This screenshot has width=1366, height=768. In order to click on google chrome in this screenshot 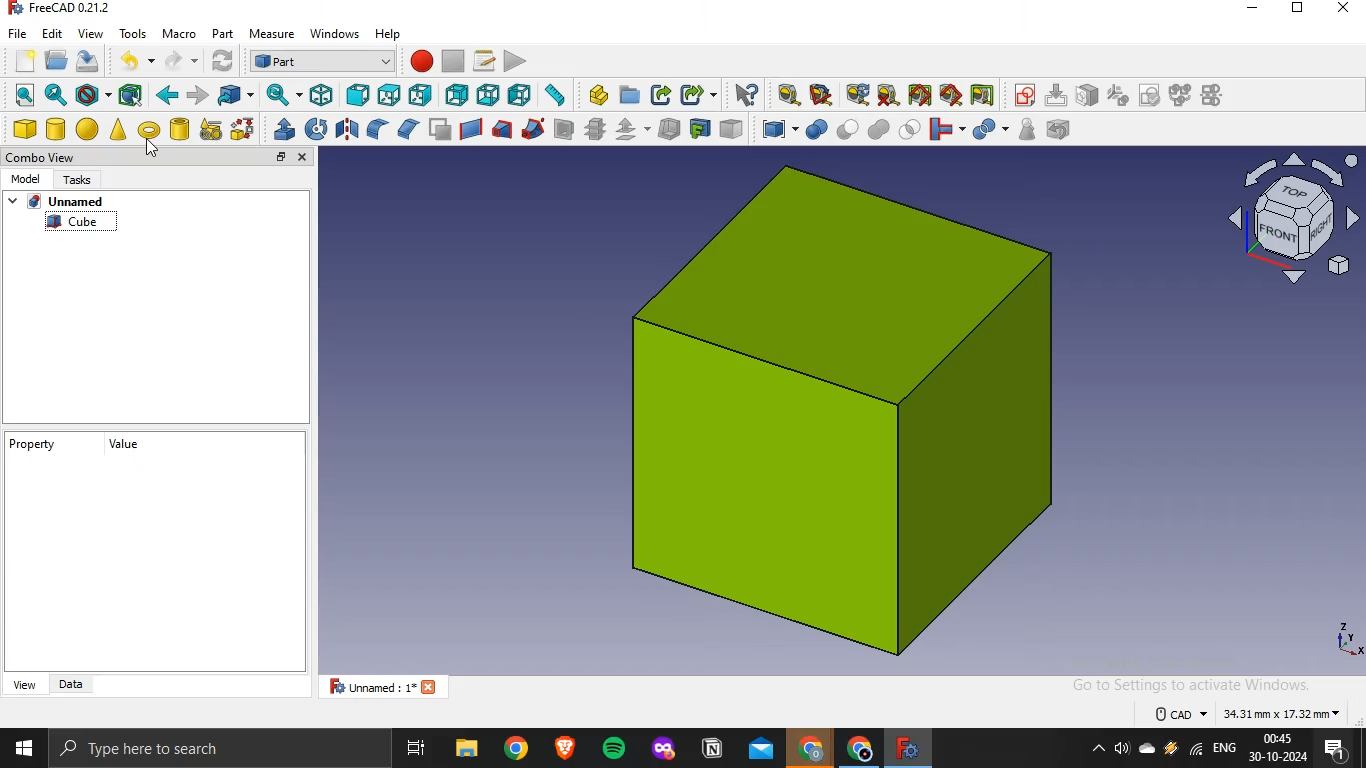, I will do `click(859, 749)`.